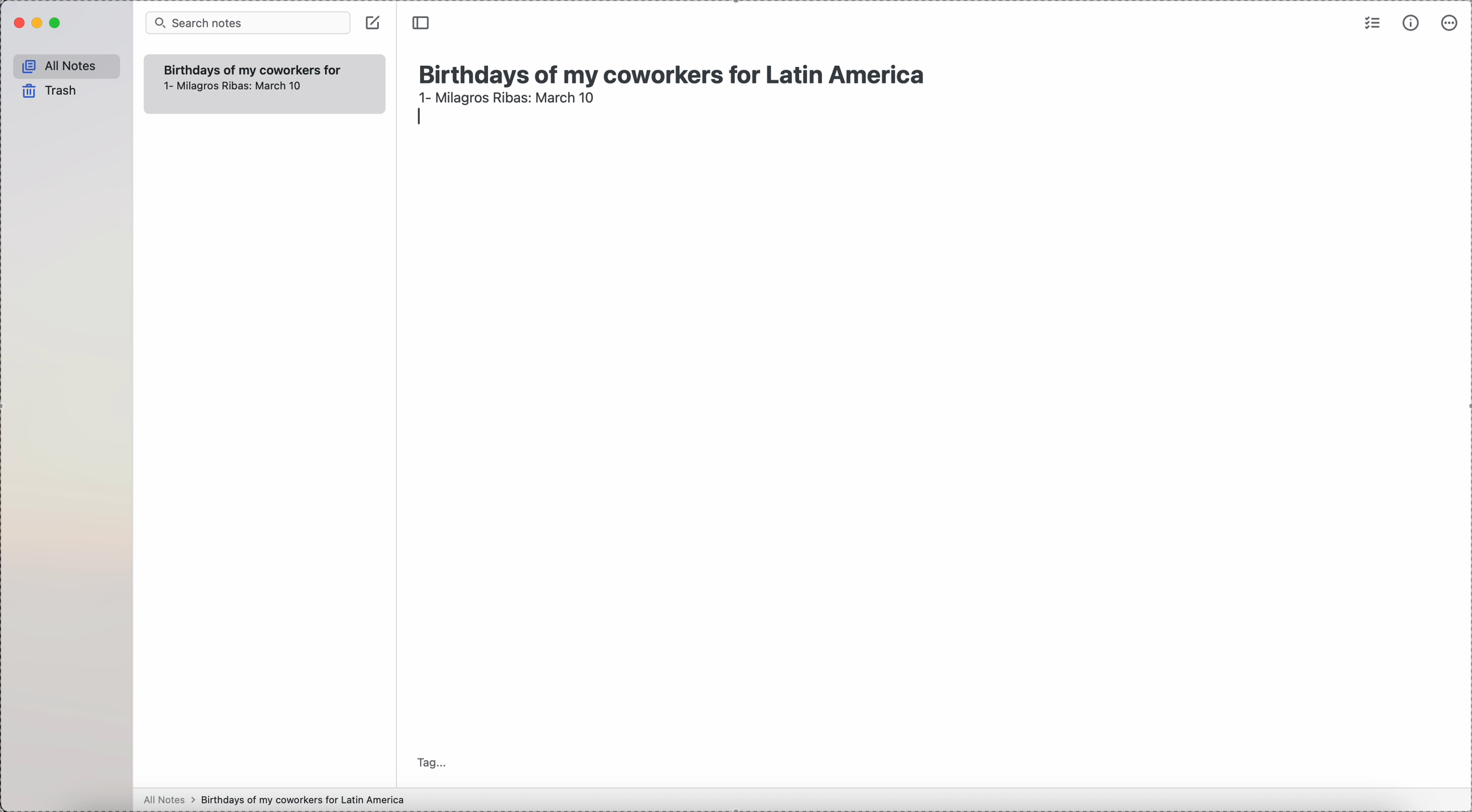  Describe the element at coordinates (373, 22) in the screenshot. I see `create note` at that location.